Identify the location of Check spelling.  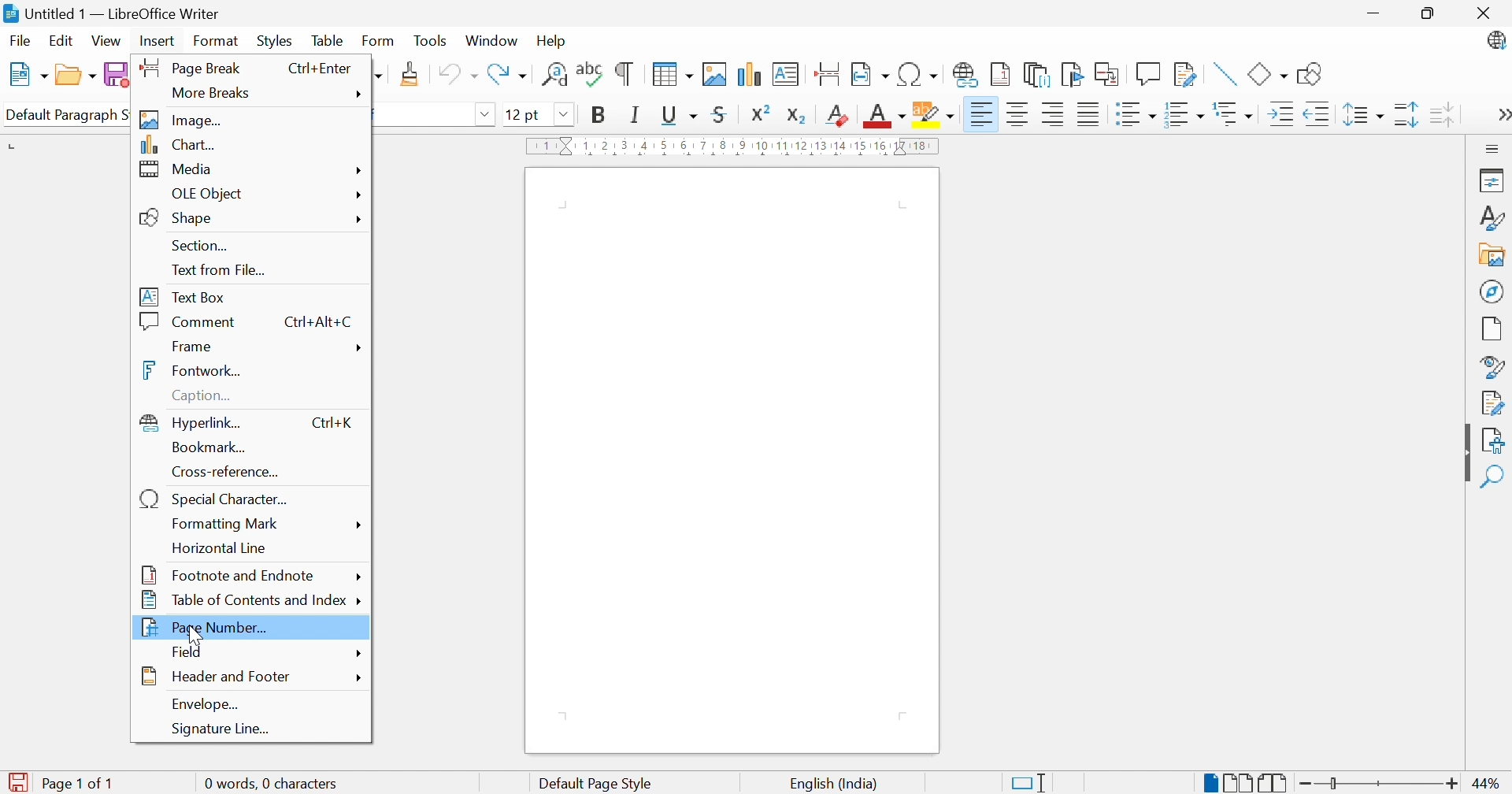
(589, 74).